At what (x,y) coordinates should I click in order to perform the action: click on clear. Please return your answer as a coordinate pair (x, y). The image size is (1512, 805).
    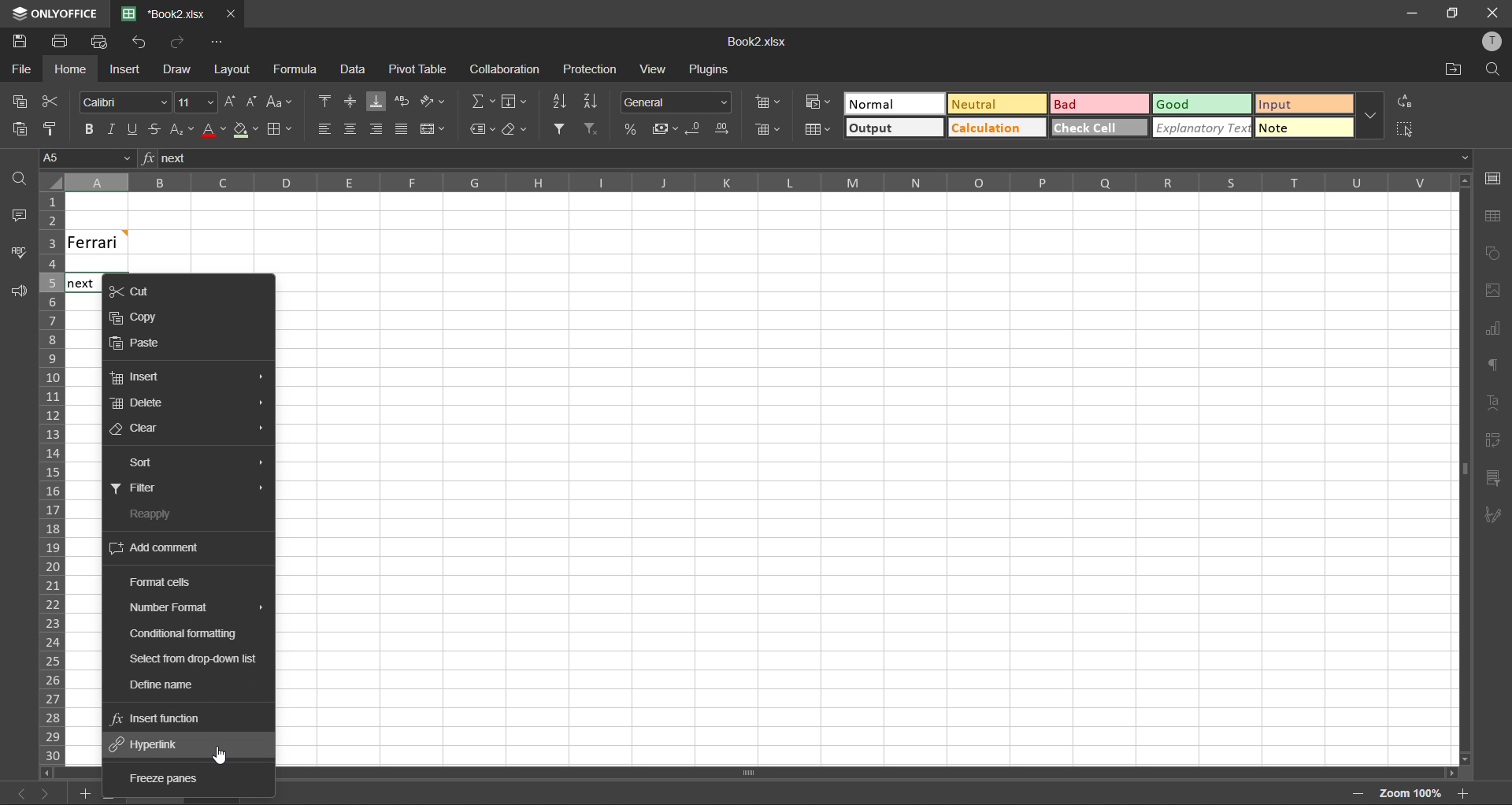
    Looking at the image, I should click on (142, 428).